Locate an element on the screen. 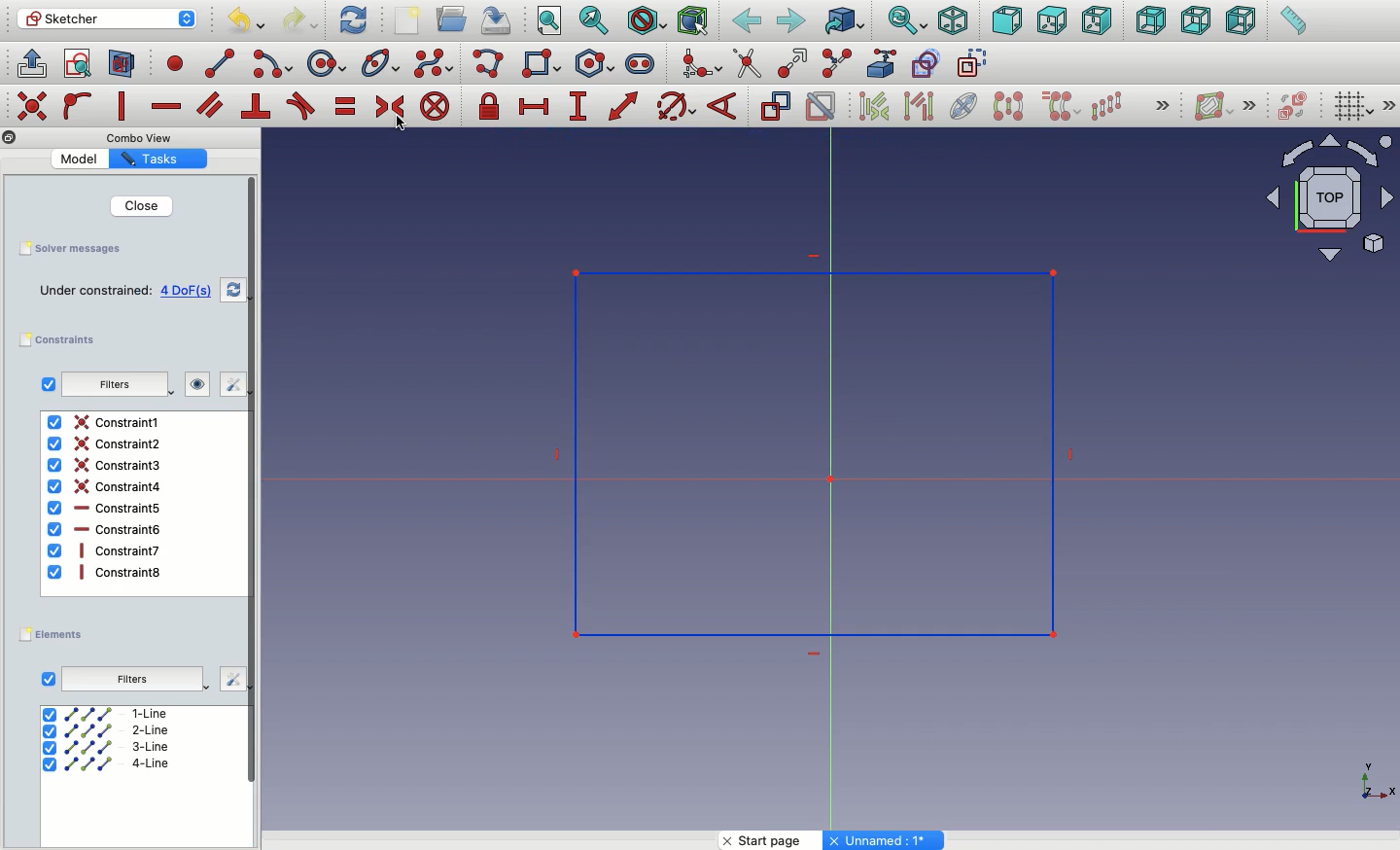  Split edge is located at coordinates (836, 64).